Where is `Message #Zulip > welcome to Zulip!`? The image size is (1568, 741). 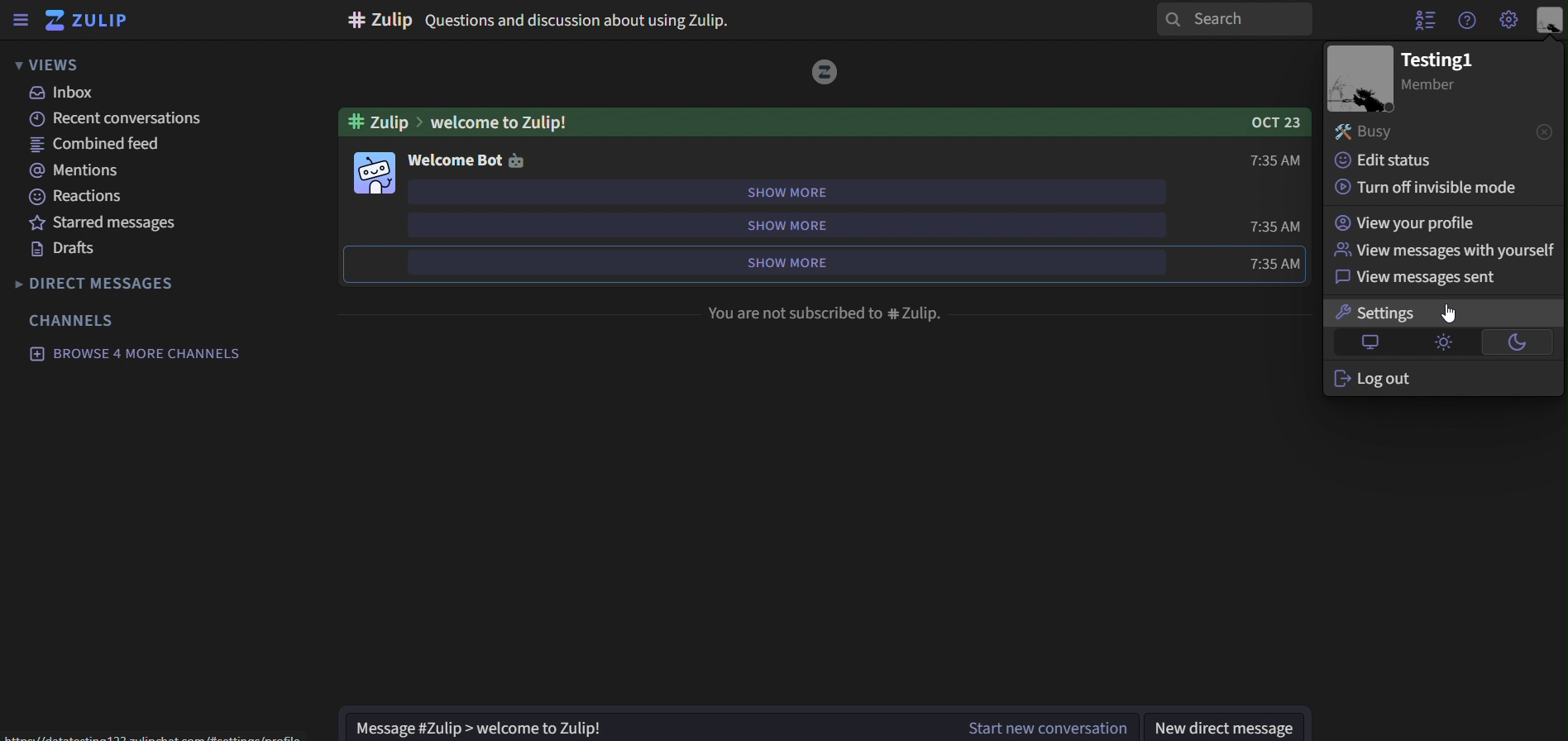
Message #Zulip > welcome to Zulip! is located at coordinates (642, 724).